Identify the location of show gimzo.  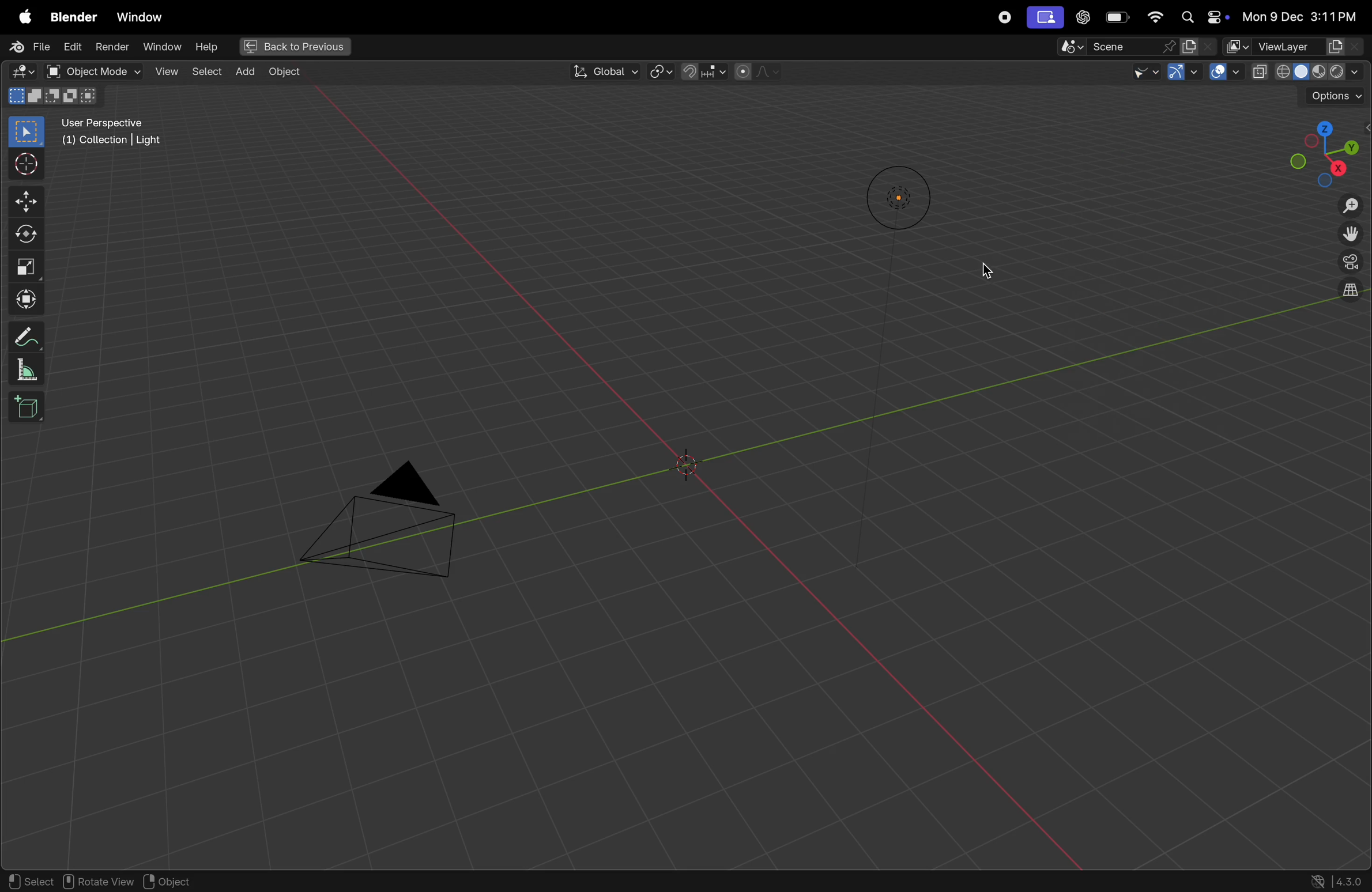
(1181, 73).